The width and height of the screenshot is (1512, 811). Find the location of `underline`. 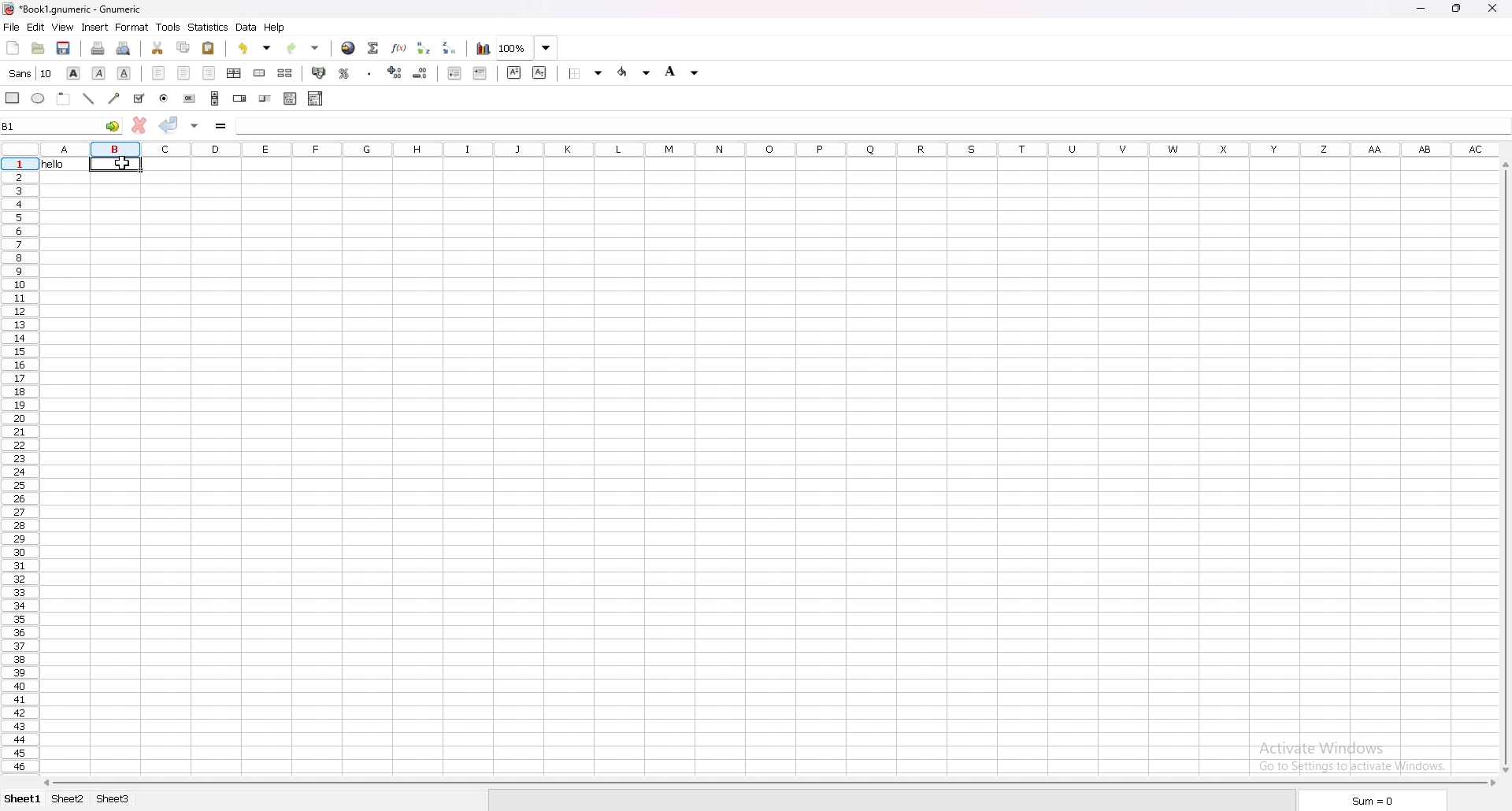

underline is located at coordinates (125, 74).